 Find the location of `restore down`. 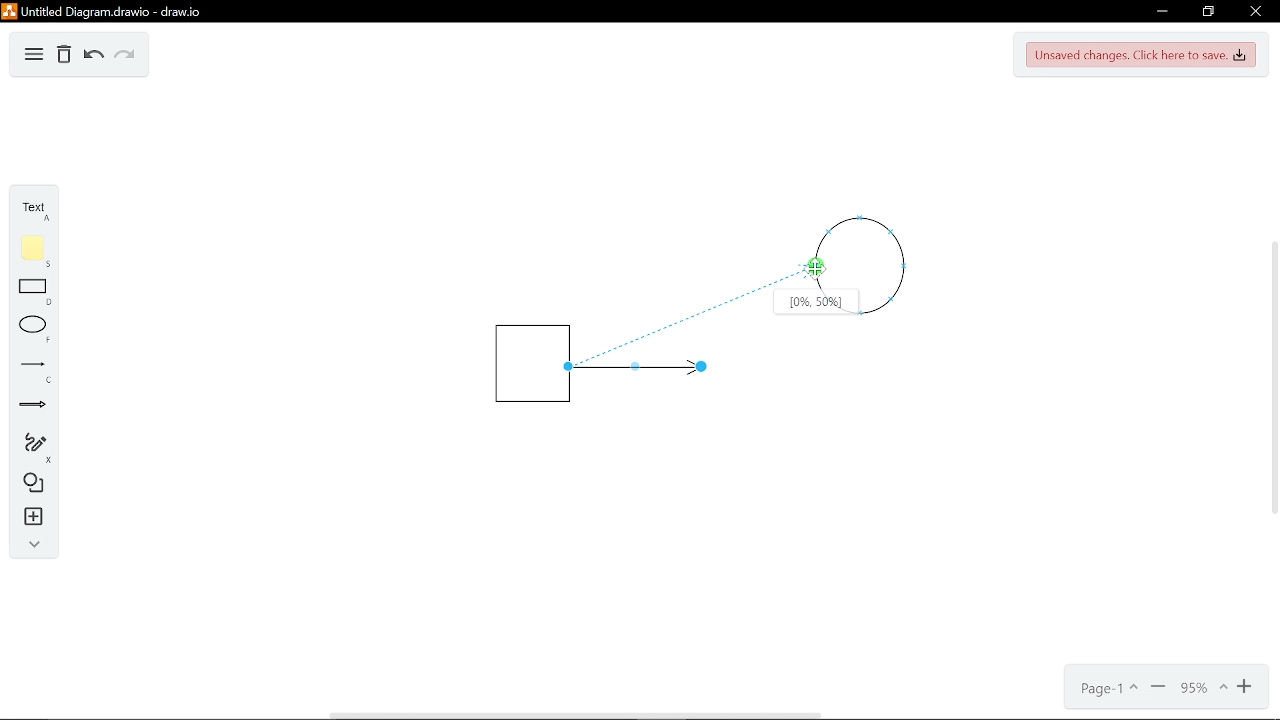

restore down is located at coordinates (1206, 12).